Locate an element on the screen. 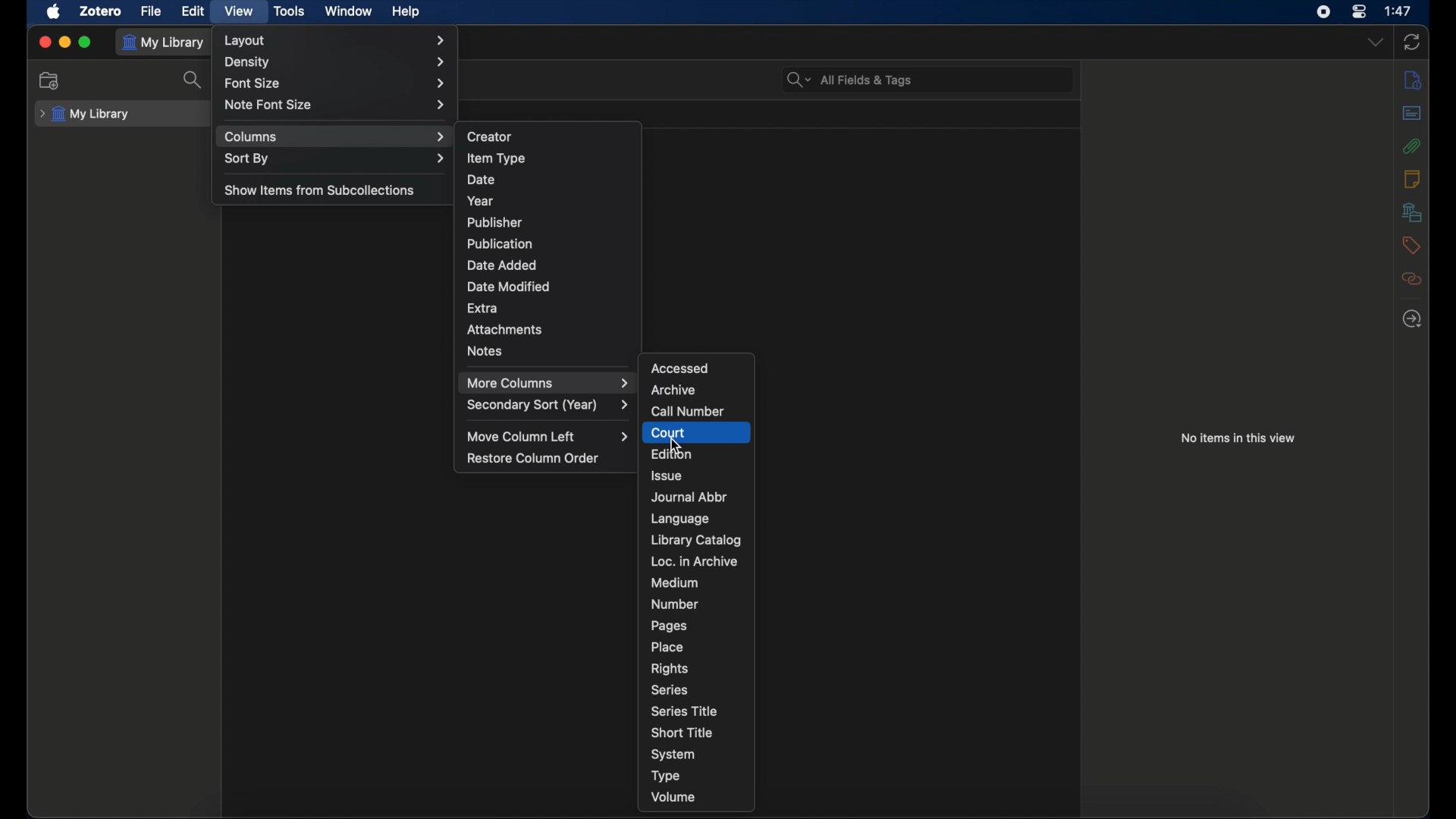  attachments is located at coordinates (1412, 146).